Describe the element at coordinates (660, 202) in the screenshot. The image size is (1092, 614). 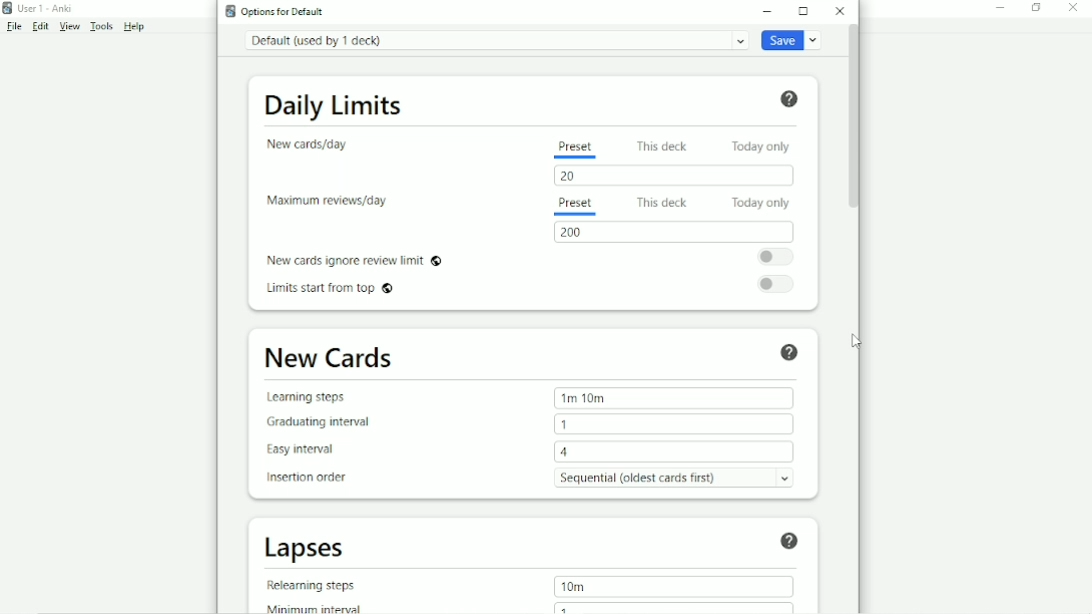
I see `This deck` at that location.